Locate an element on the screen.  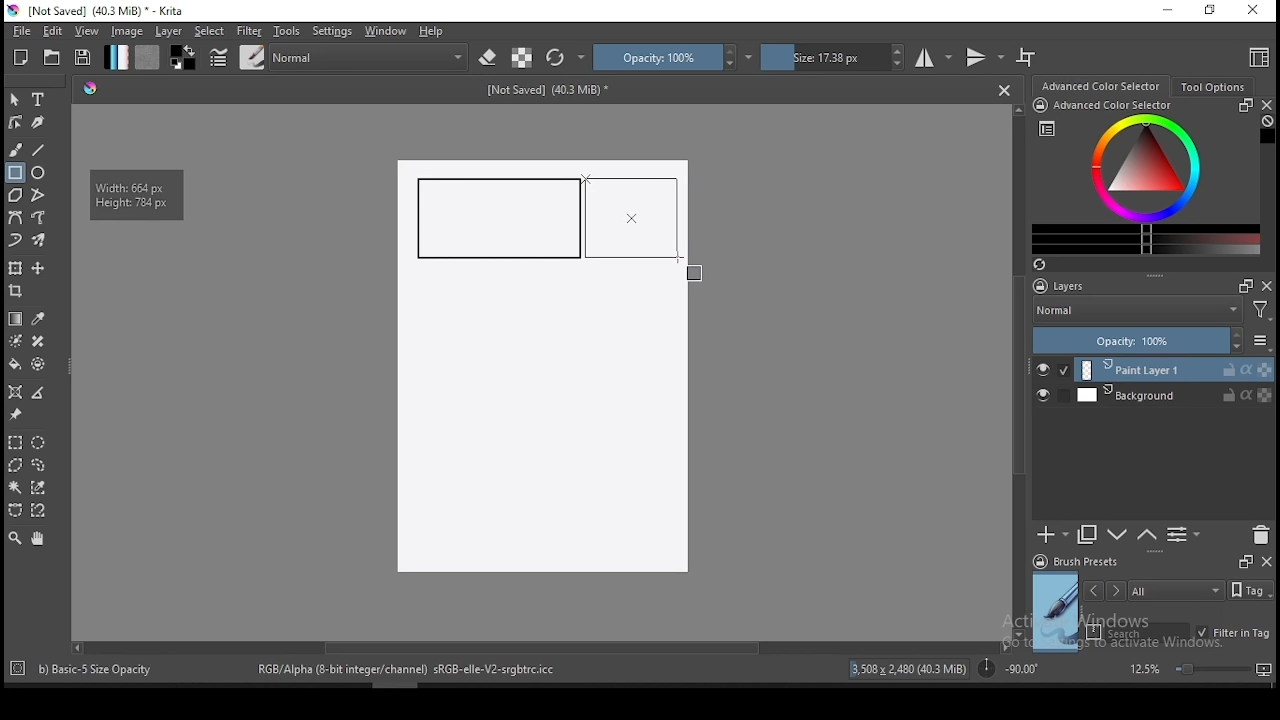
crop tool is located at coordinates (18, 293).